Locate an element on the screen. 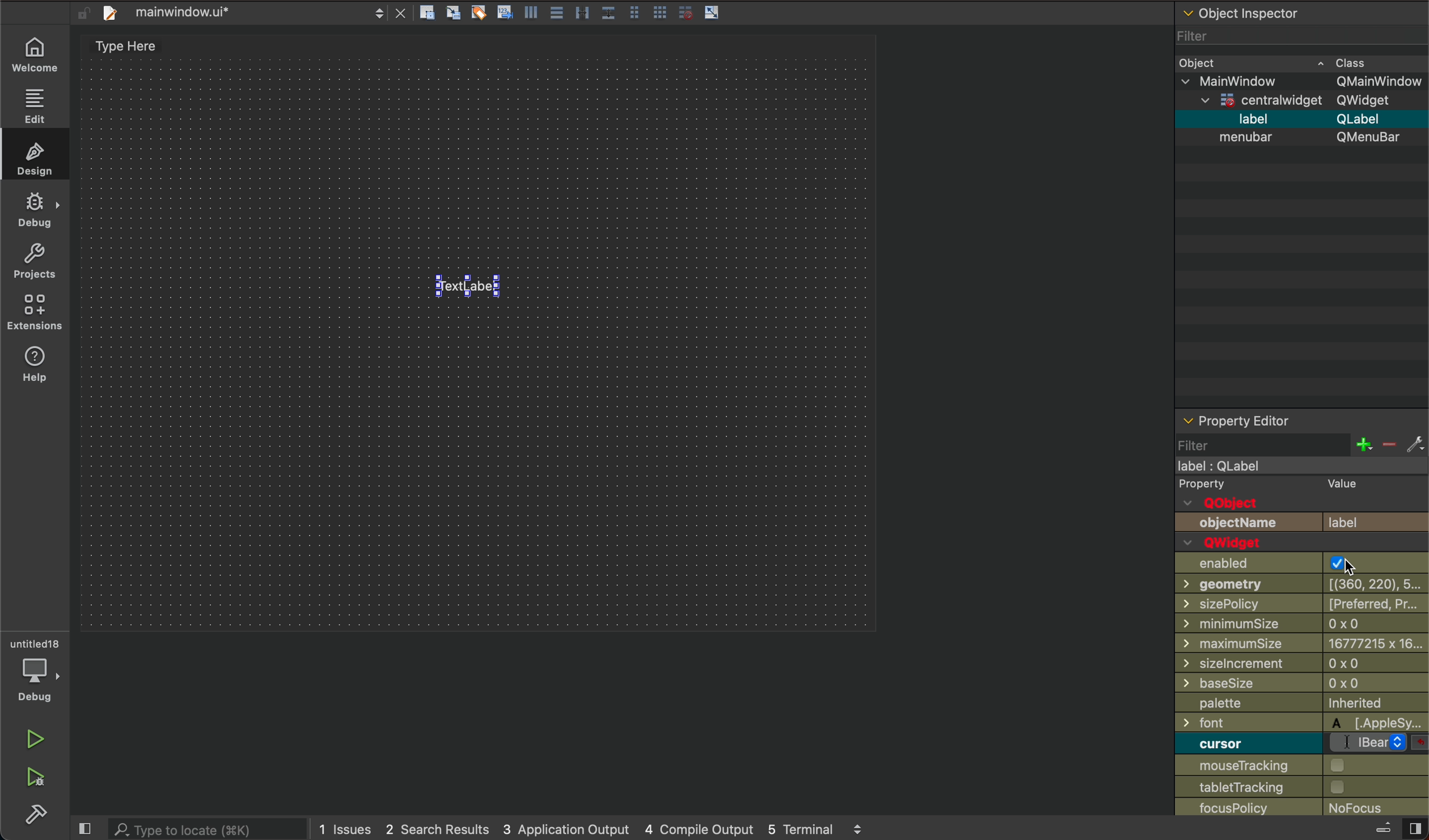  centrawidget is located at coordinates (1258, 99).